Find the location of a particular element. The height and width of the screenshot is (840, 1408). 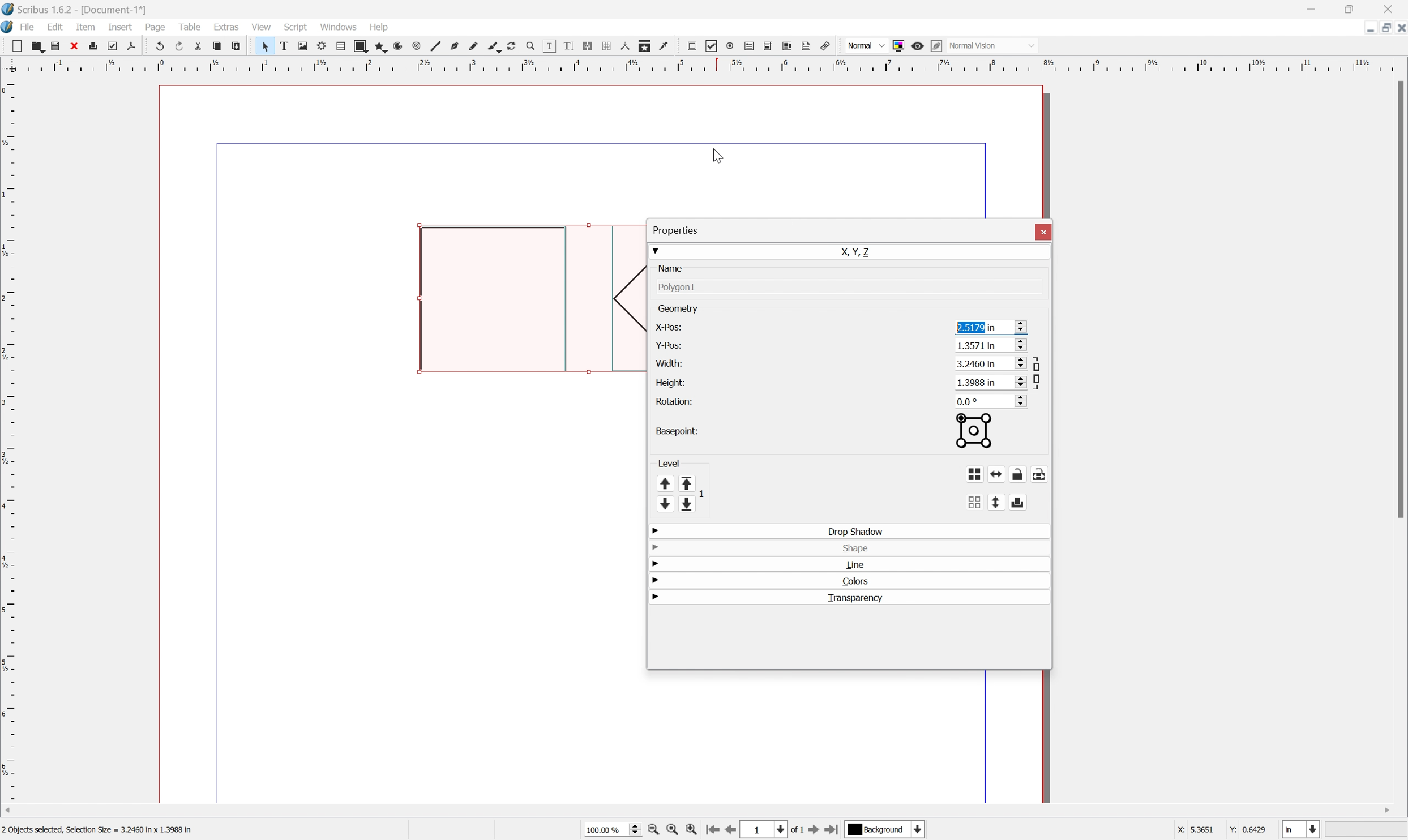

2.5179 in is located at coordinates (991, 327).